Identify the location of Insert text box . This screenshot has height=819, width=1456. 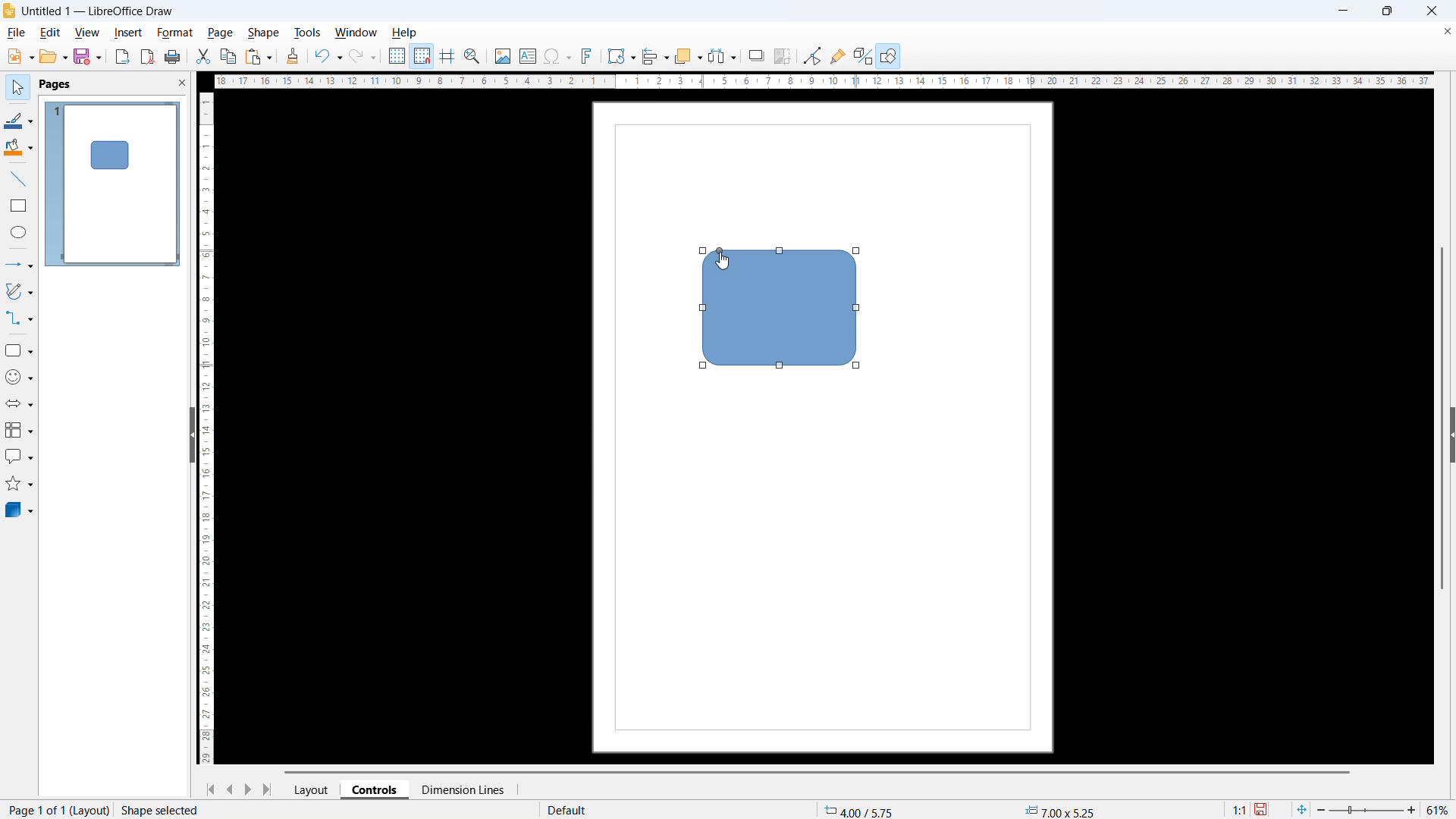
(528, 55).